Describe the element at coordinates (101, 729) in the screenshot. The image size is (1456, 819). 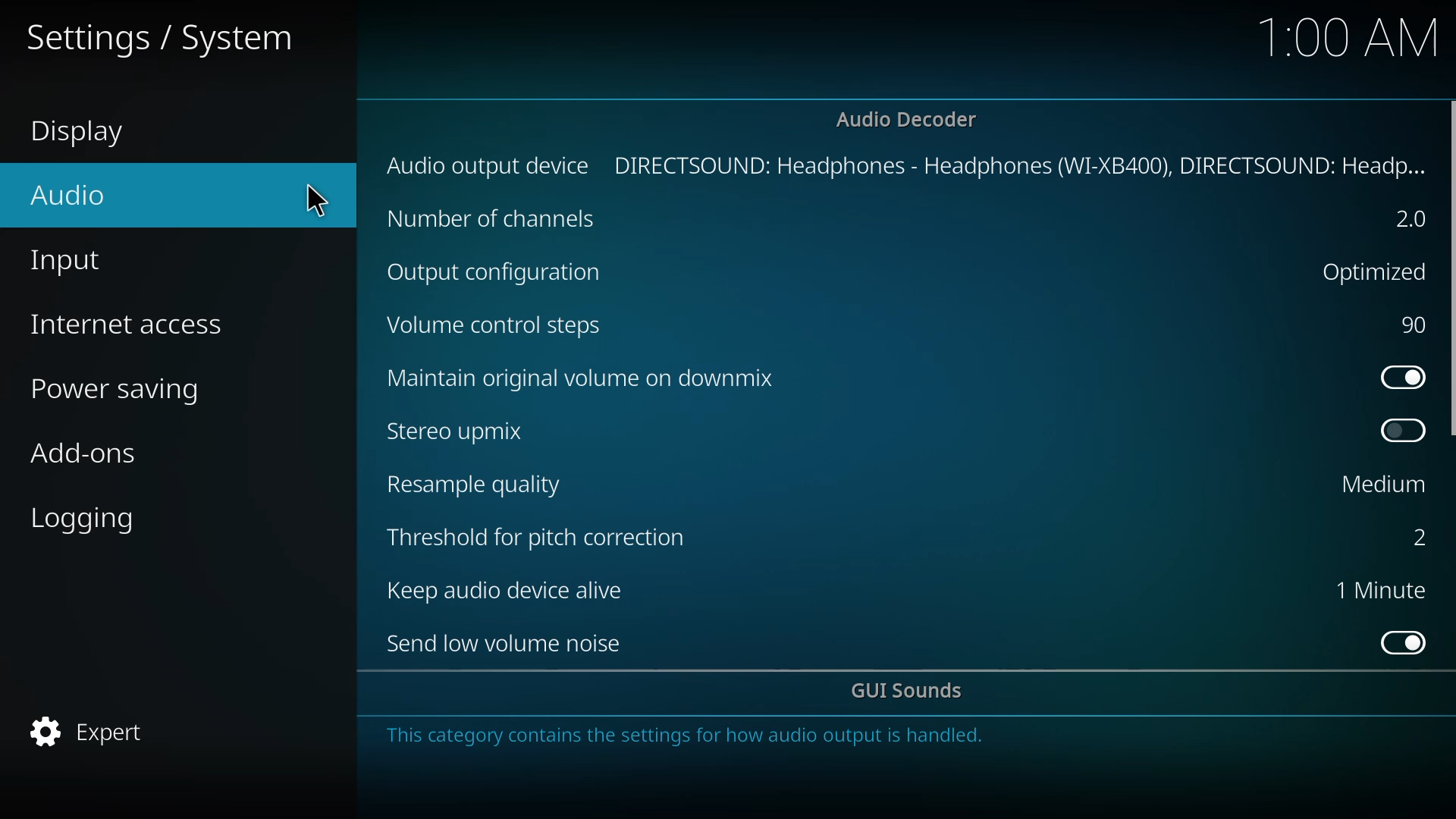
I see `expert` at that location.